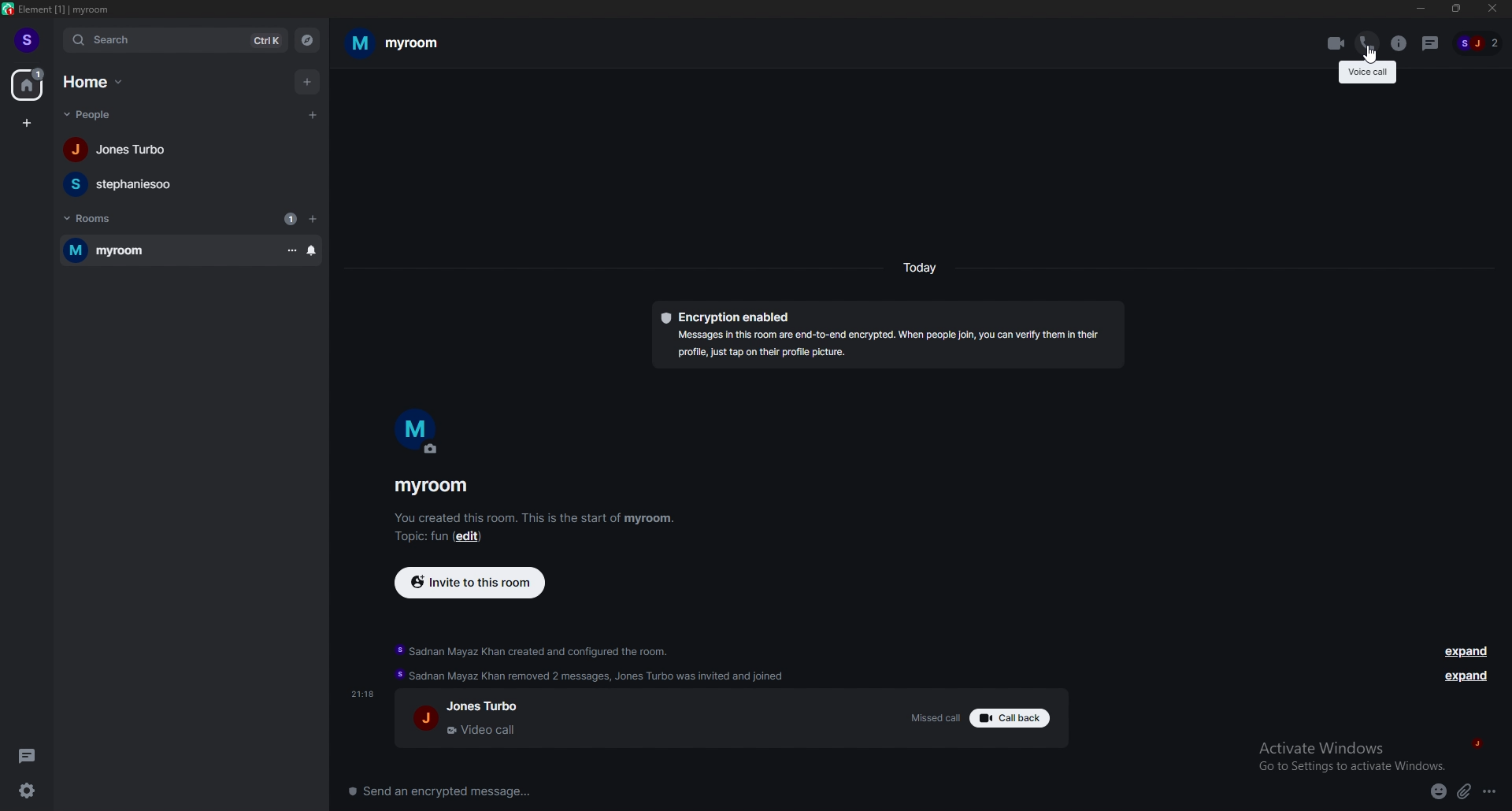 The width and height of the screenshot is (1512, 811). I want to click on Encryption enabled Messages in this room are end-to-end encrypted. When people join, you can verify them in their profile, just tap on their profile picture., so click(886, 335).